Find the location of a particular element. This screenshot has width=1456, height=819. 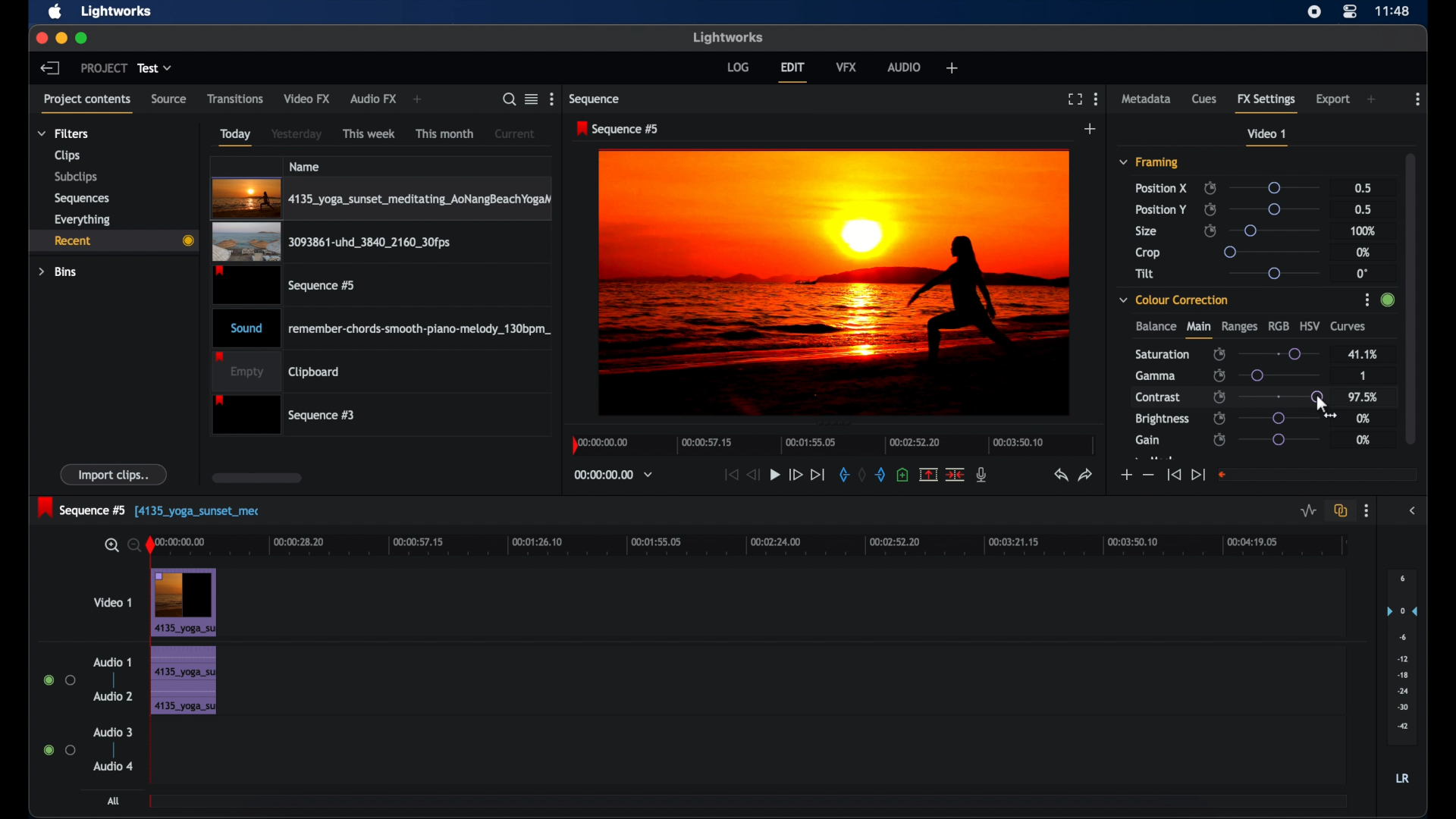

close is located at coordinates (38, 38).